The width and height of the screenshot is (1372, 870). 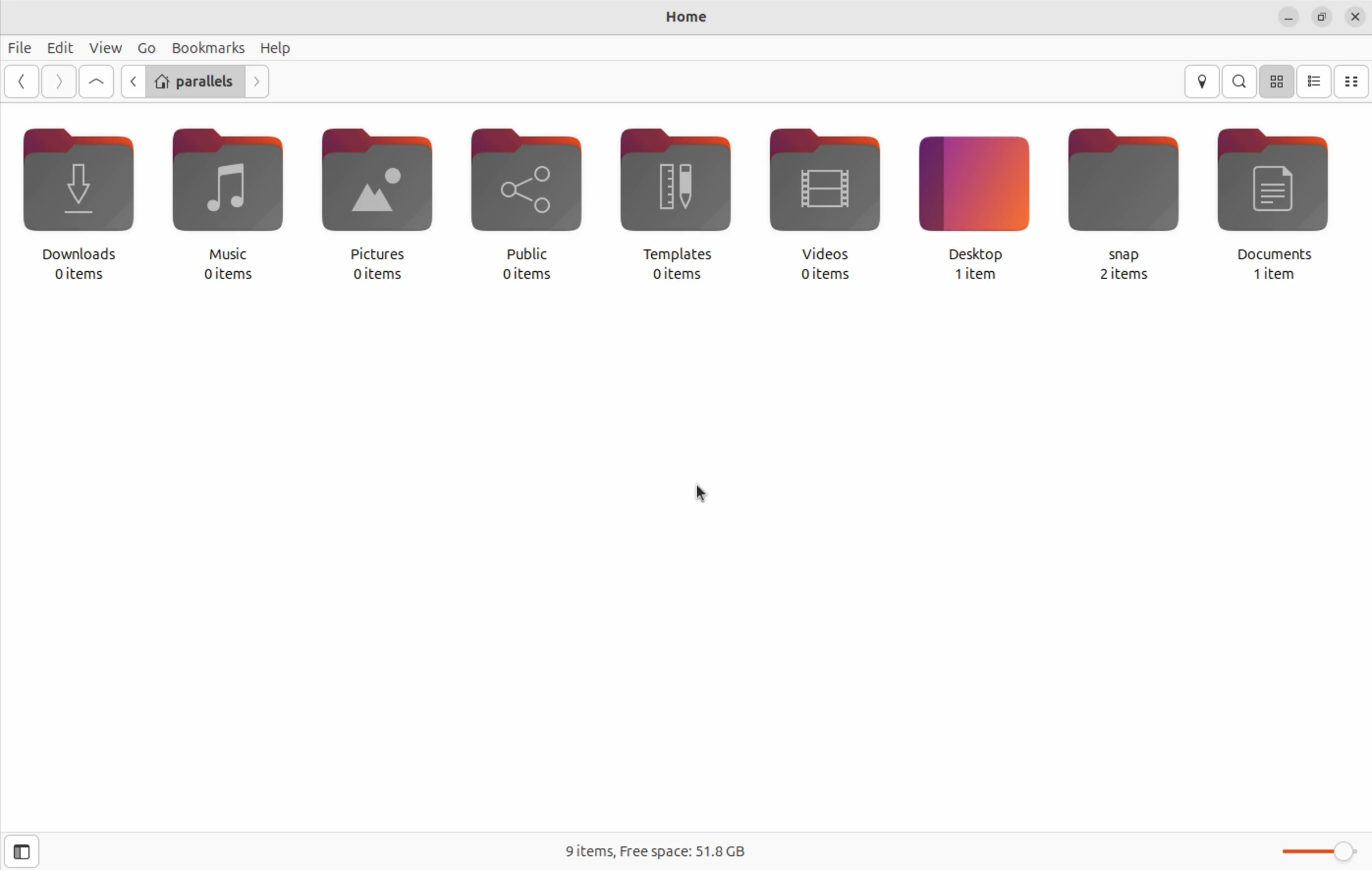 I want to click on 0 items, so click(x=79, y=275).